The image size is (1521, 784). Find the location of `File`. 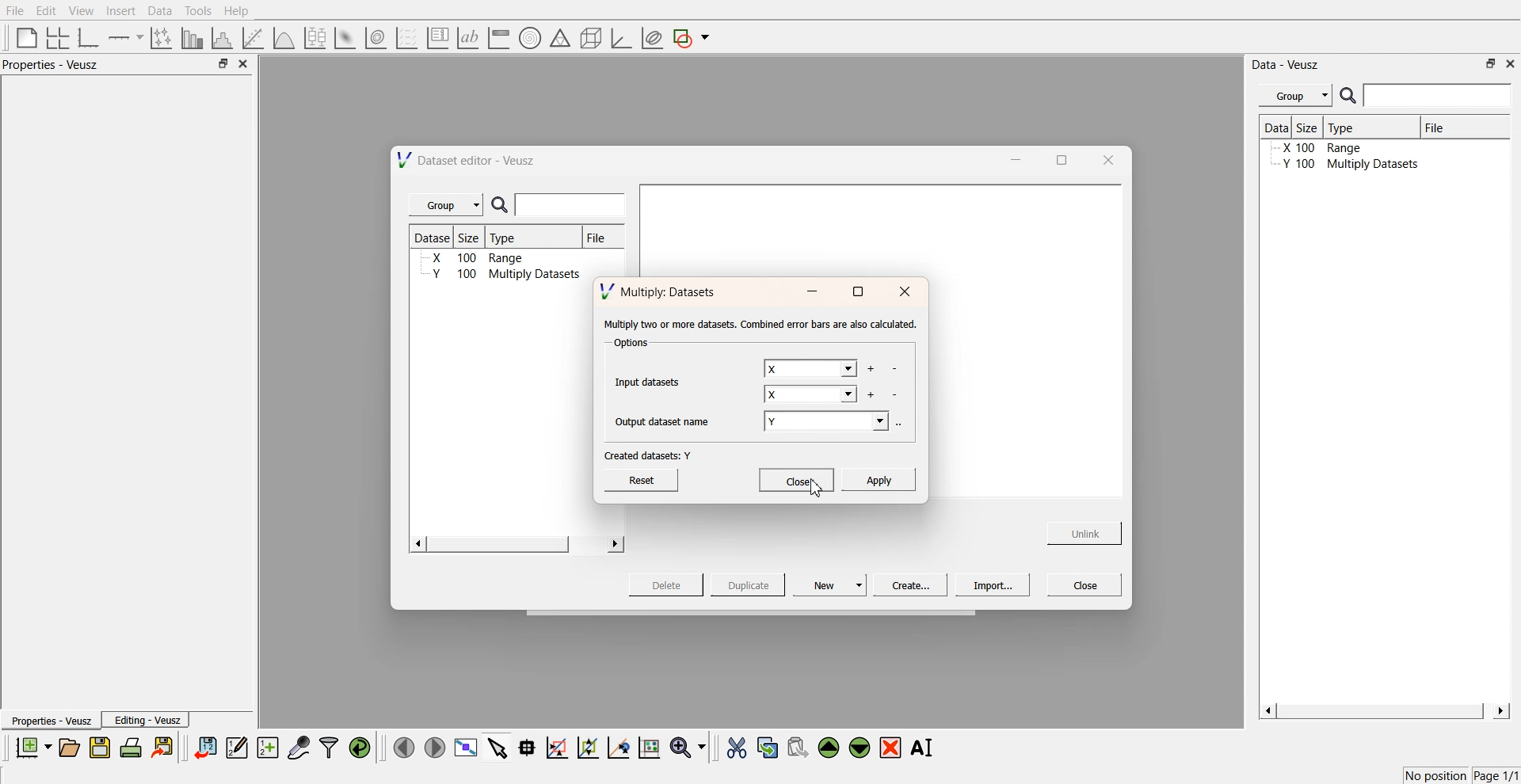

File is located at coordinates (597, 238).